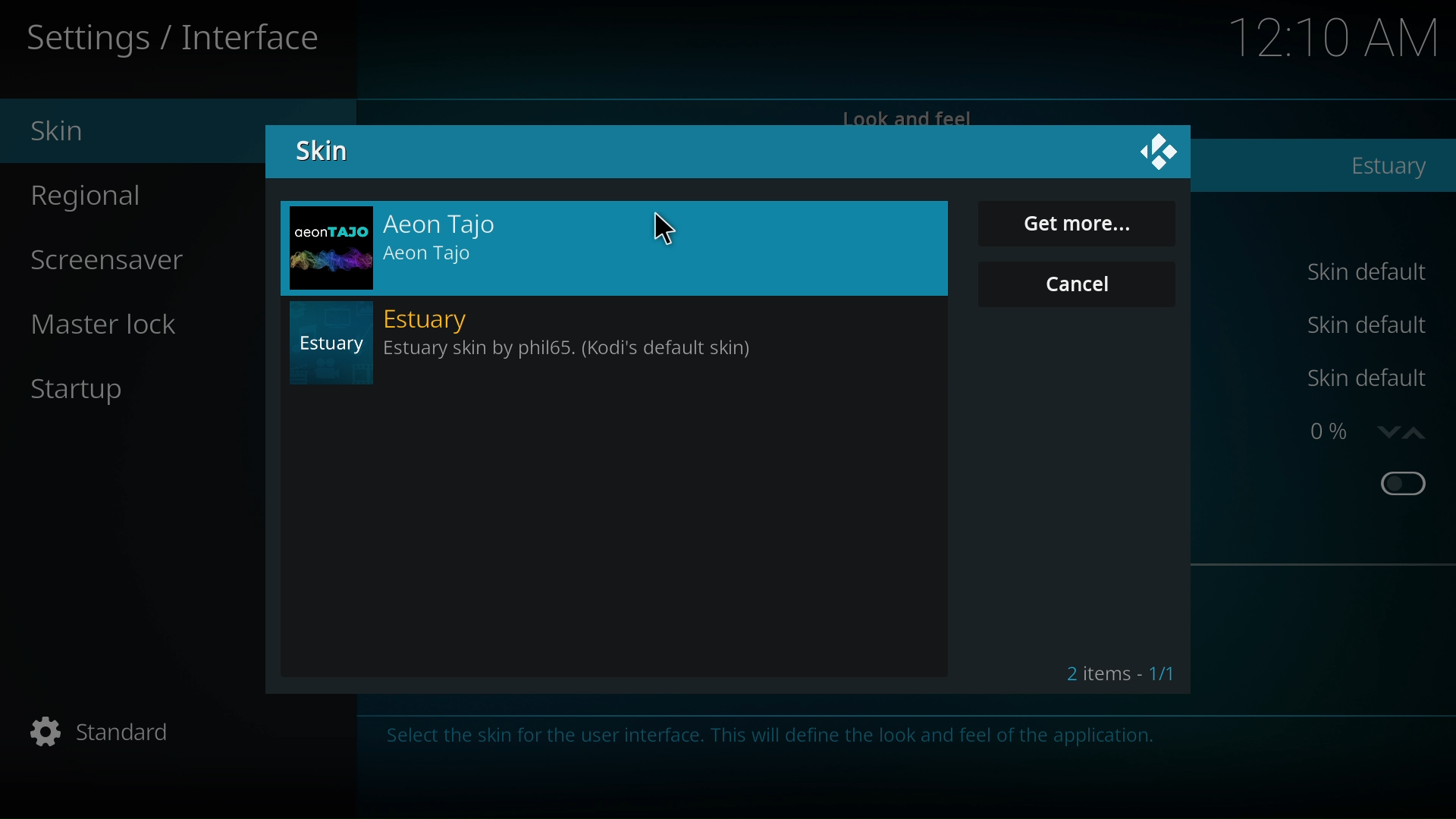 Image resolution: width=1456 pixels, height=819 pixels. Describe the element at coordinates (83, 395) in the screenshot. I see `start up` at that location.